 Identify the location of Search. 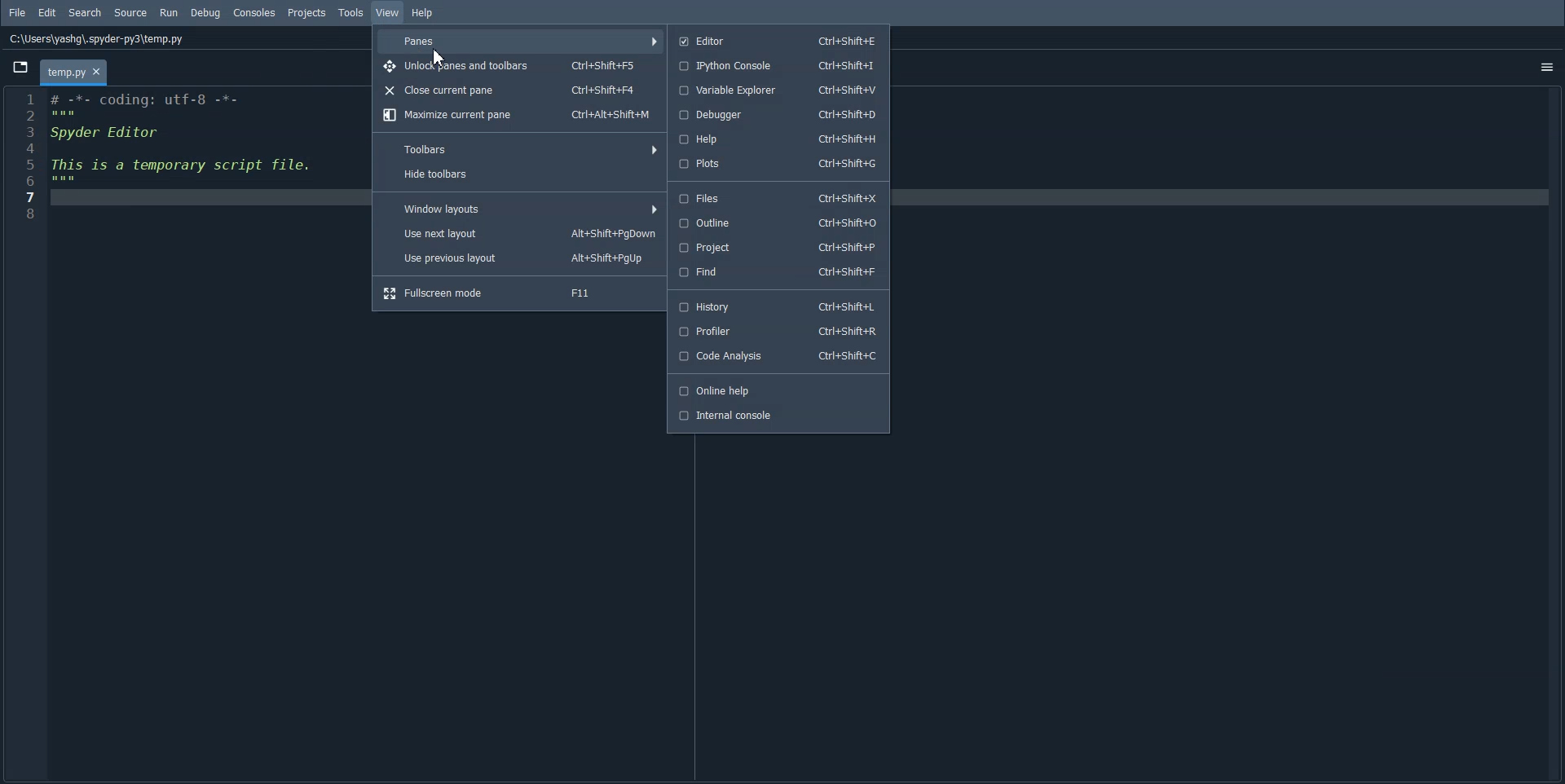
(86, 13).